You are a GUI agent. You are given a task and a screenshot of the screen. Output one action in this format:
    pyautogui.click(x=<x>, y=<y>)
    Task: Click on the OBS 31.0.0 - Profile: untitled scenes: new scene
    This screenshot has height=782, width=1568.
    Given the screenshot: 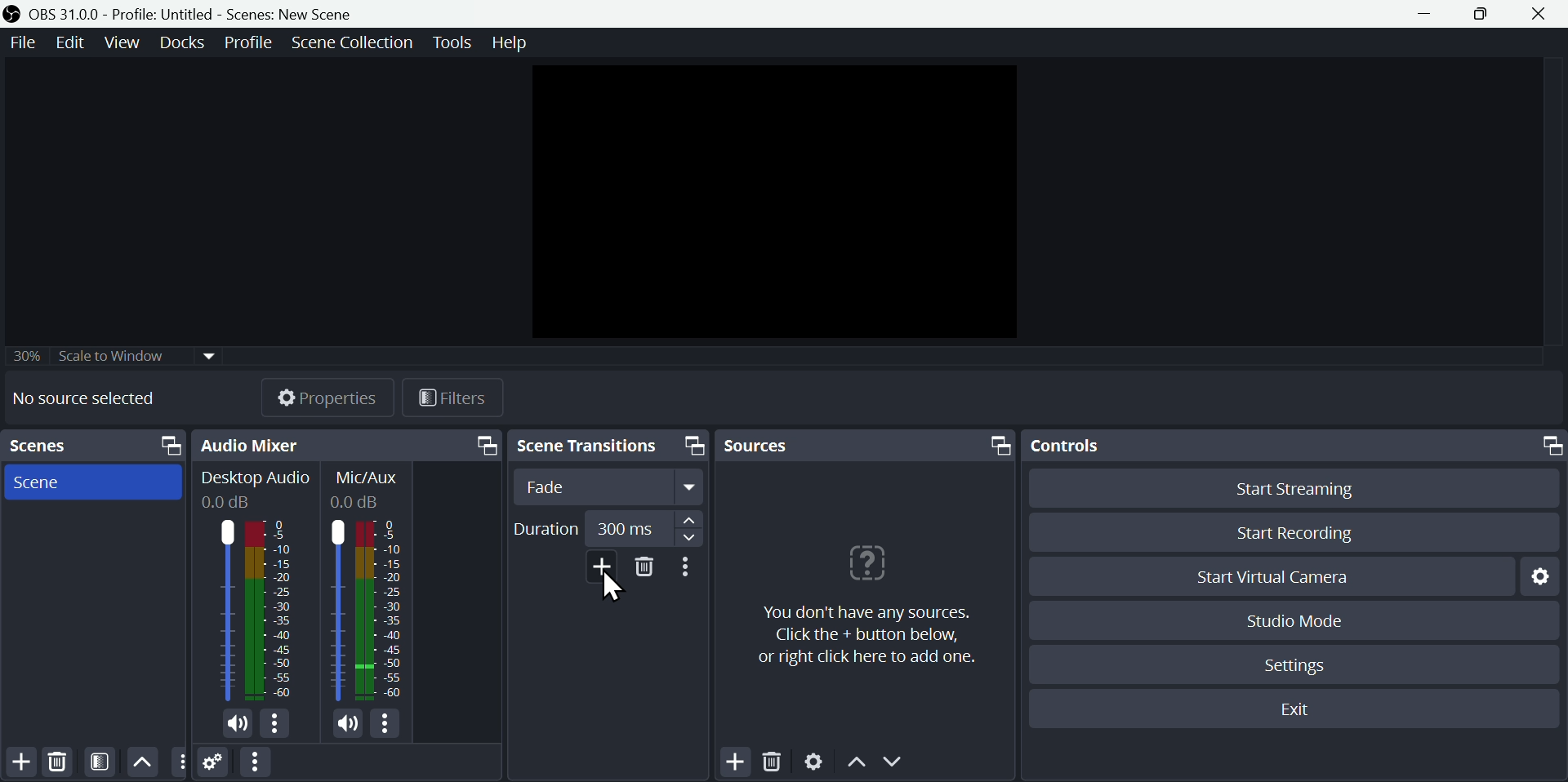 What is the action you would take?
    pyautogui.click(x=185, y=13)
    